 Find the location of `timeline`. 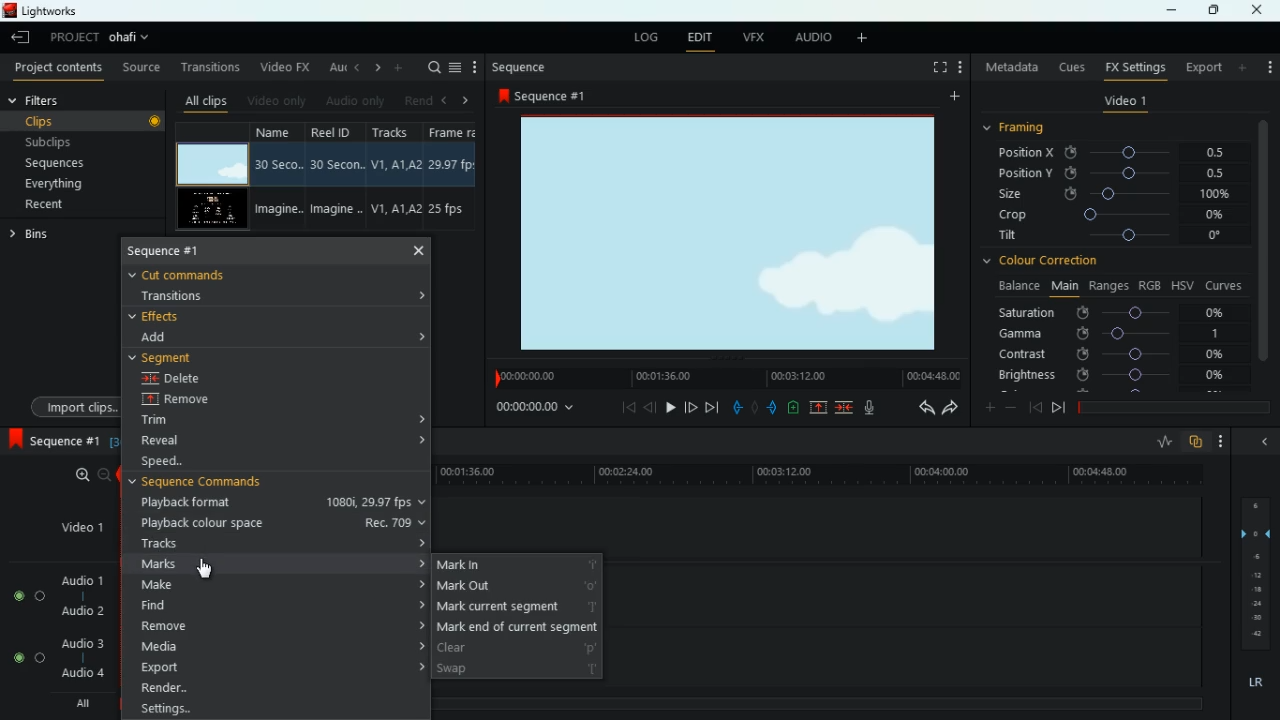

timeline is located at coordinates (809, 473).